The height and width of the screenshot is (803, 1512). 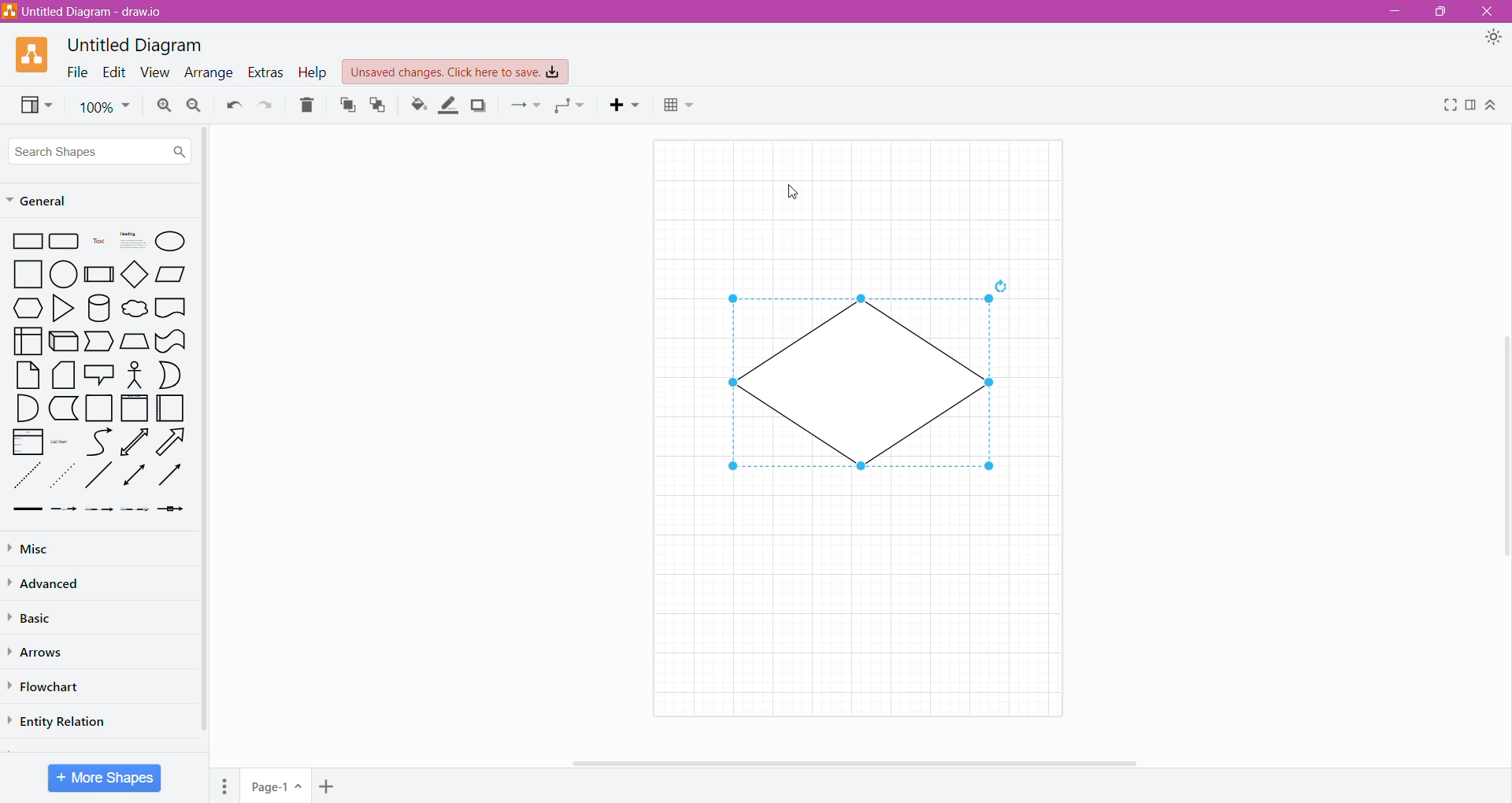 What do you see at coordinates (1470, 105) in the screenshot?
I see `Format` at bounding box center [1470, 105].